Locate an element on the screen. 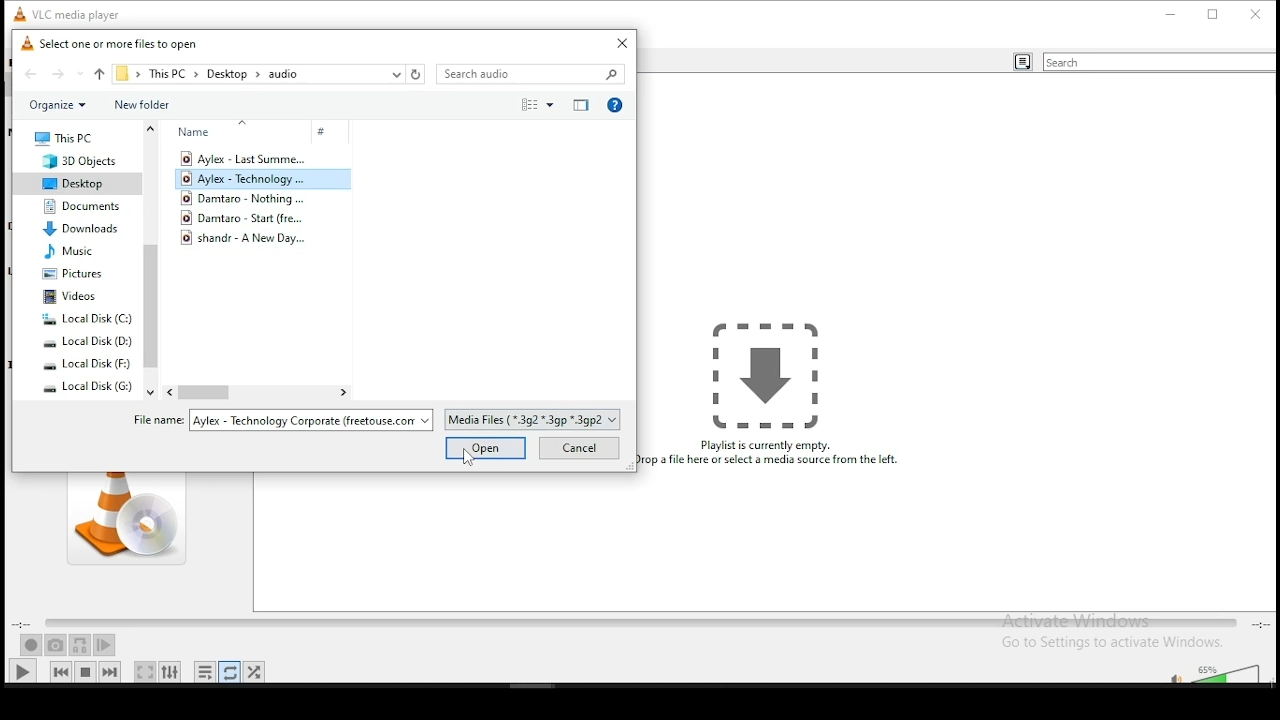 The image size is (1280, 720). damtaro - nothing is located at coordinates (247, 198).